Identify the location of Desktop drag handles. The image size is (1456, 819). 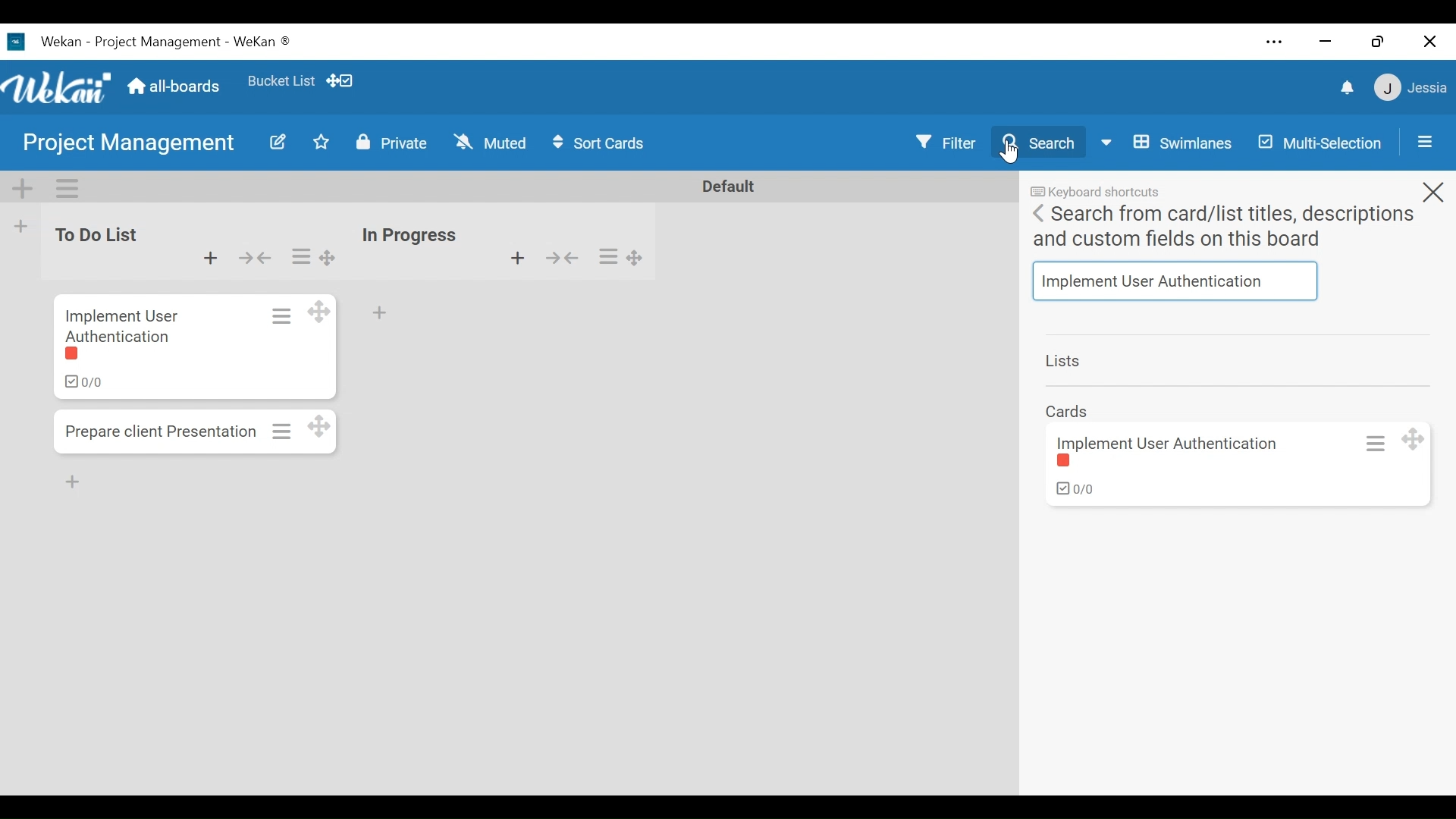
(640, 260).